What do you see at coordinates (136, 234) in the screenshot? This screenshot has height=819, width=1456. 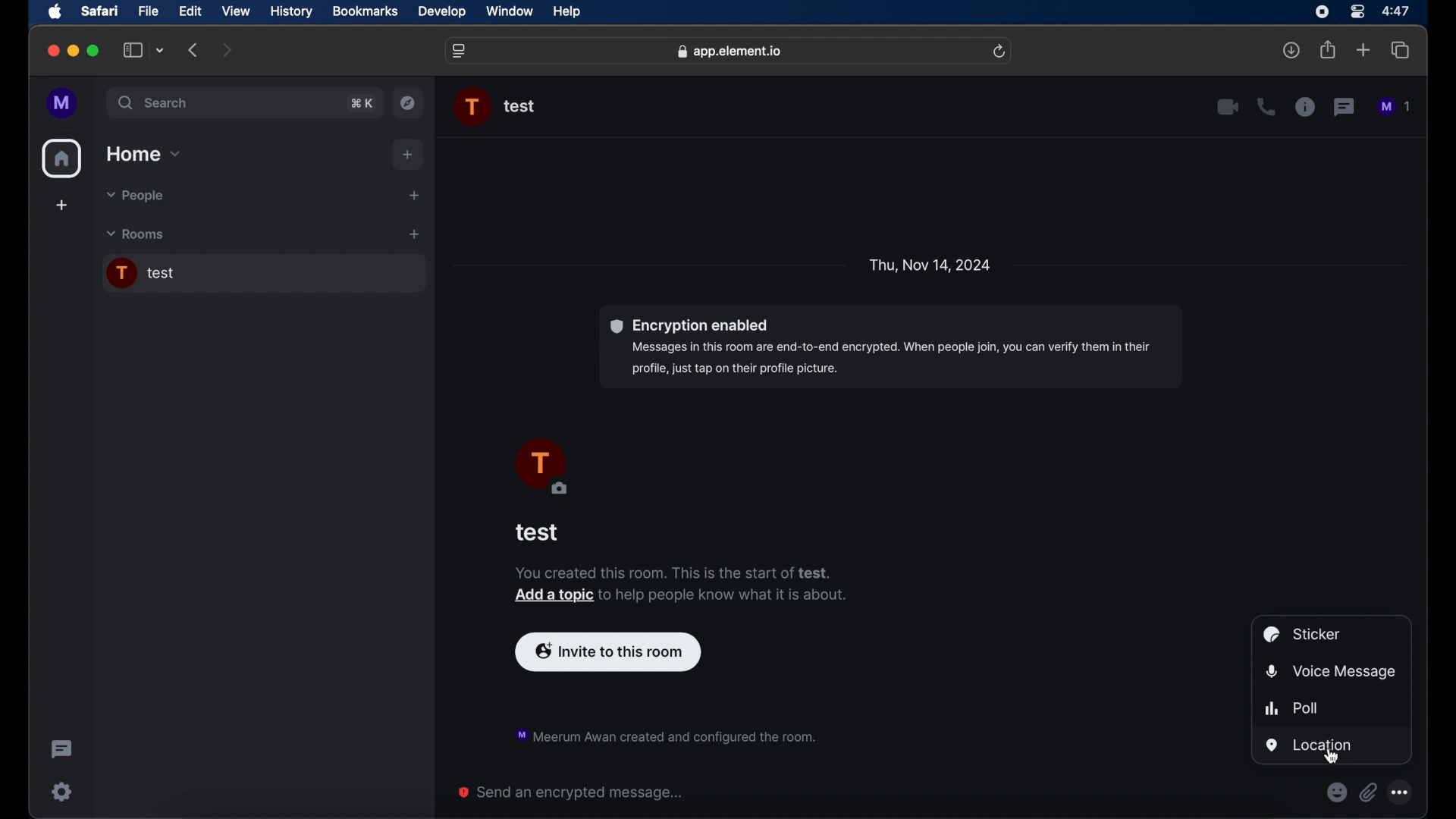 I see `rooms dropdown` at bounding box center [136, 234].